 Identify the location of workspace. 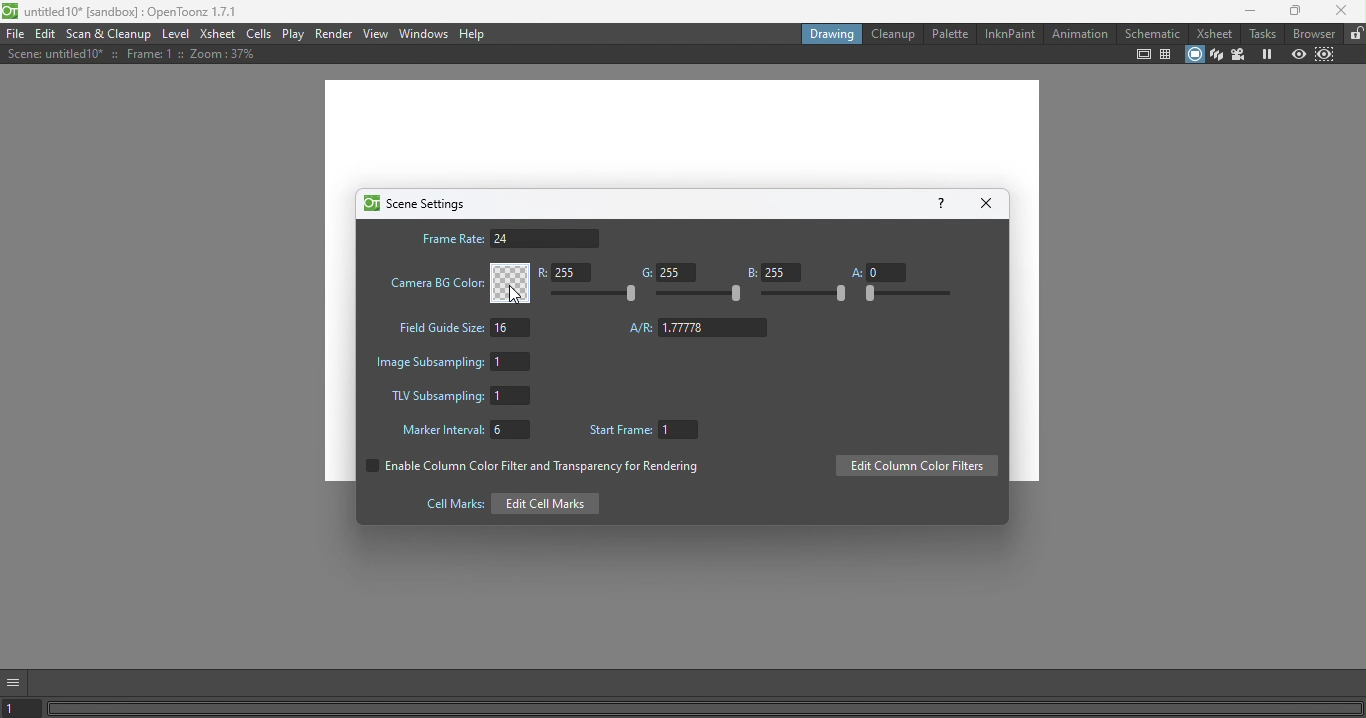
(685, 133).